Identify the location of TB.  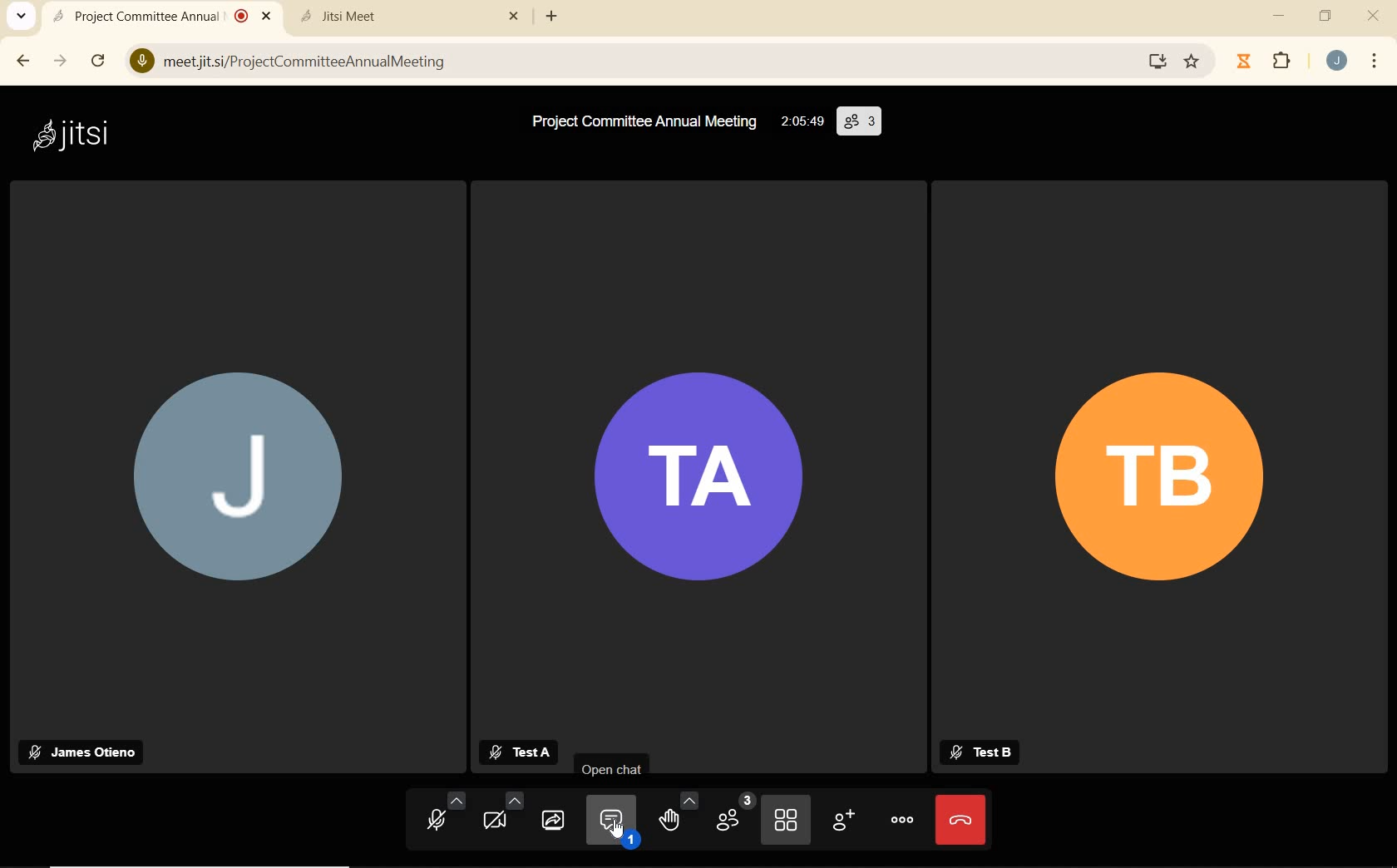
(1163, 471).